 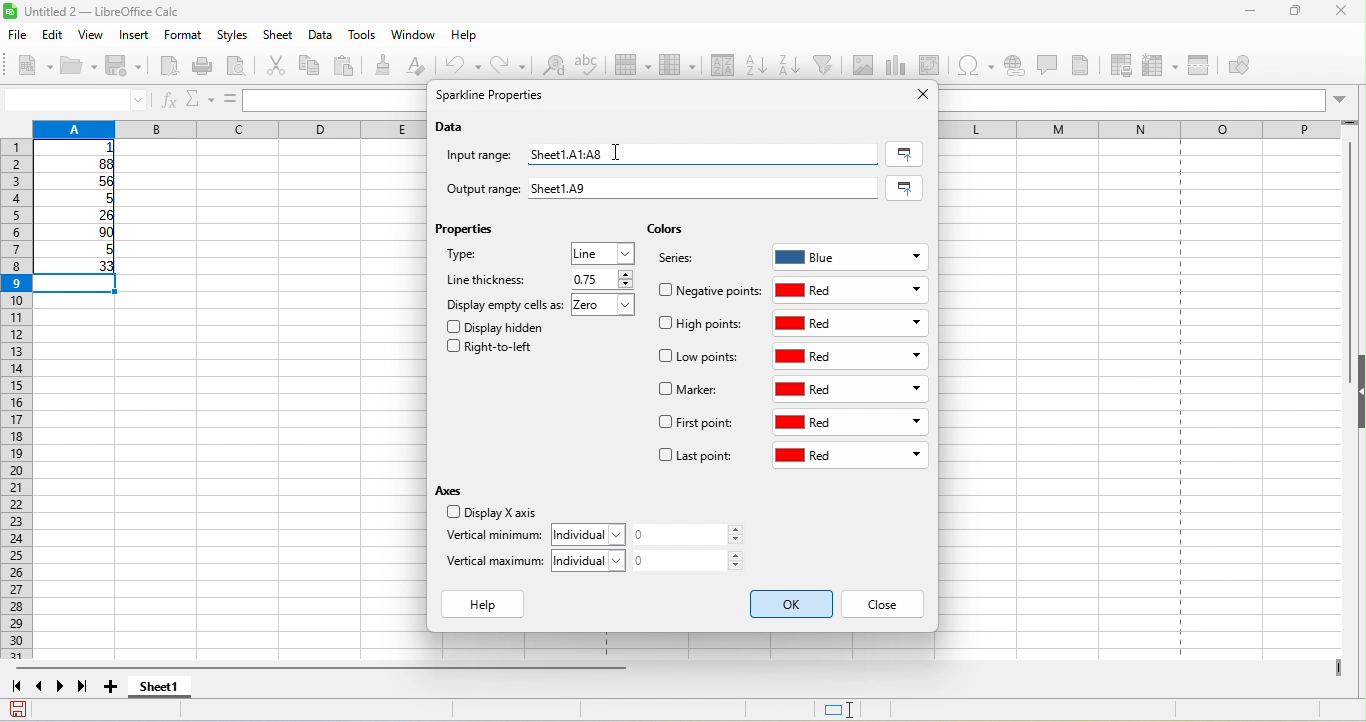 I want to click on selected cell, so click(x=81, y=285).